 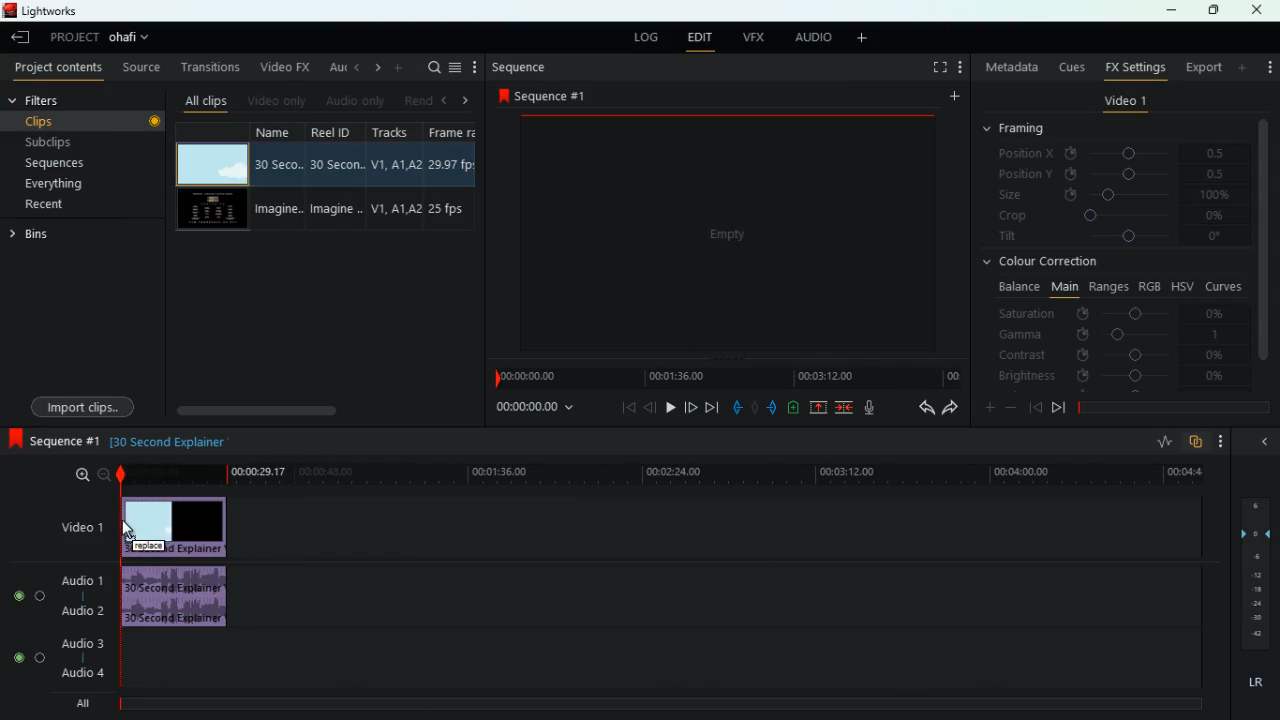 I want to click on main, so click(x=1064, y=285).